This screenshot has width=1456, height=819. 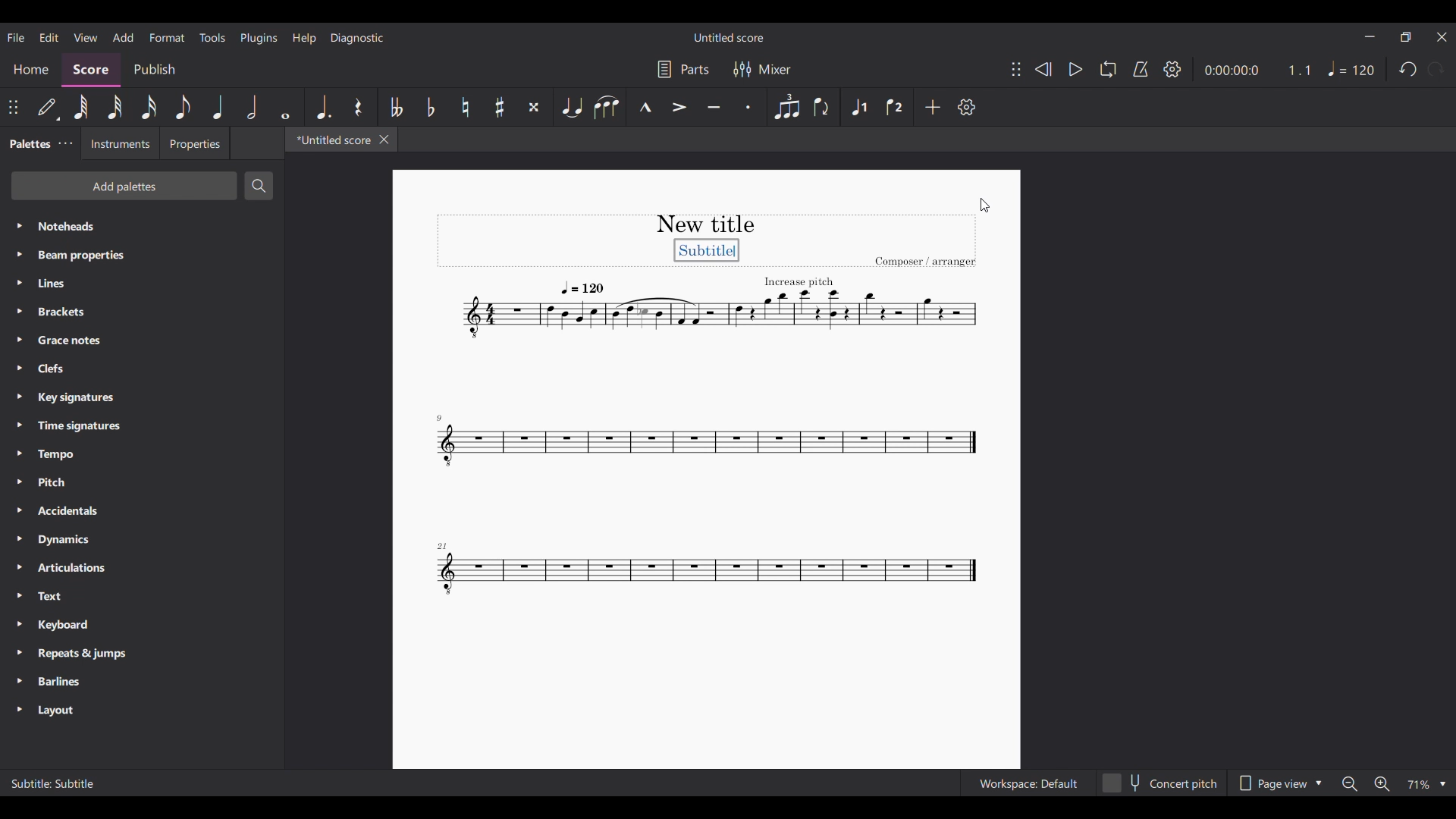 I want to click on Tempo, so click(x=142, y=454).